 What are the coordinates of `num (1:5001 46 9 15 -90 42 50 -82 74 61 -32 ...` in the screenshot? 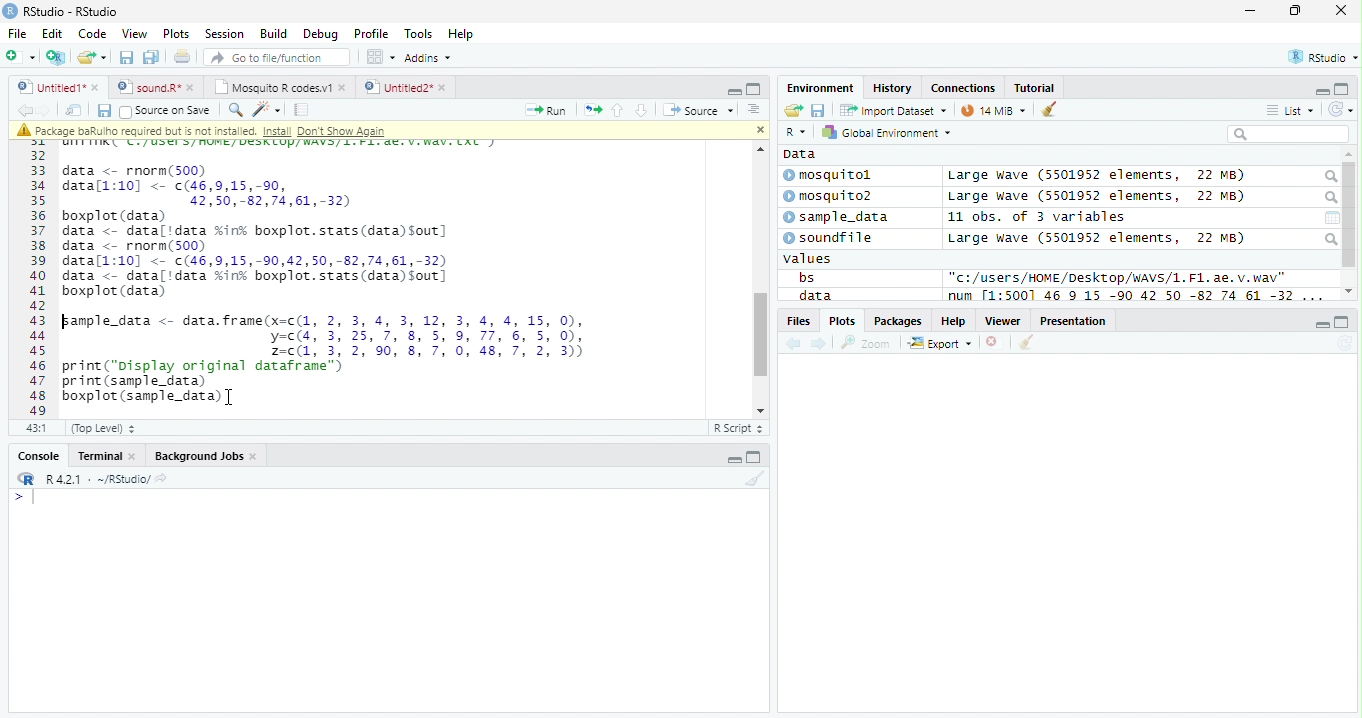 It's located at (1138, 296).